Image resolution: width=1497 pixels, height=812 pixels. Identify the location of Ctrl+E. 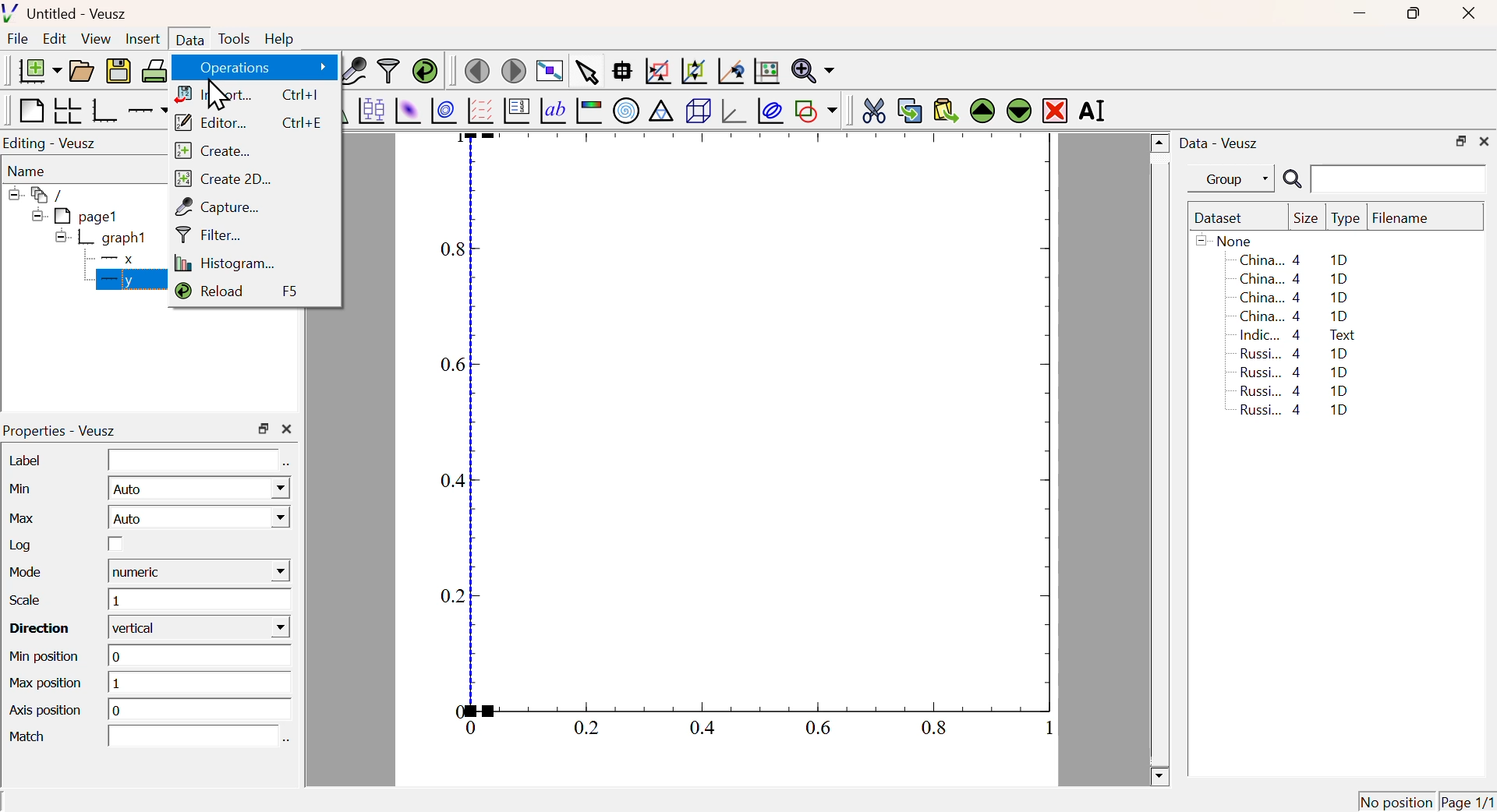
(303, 124).